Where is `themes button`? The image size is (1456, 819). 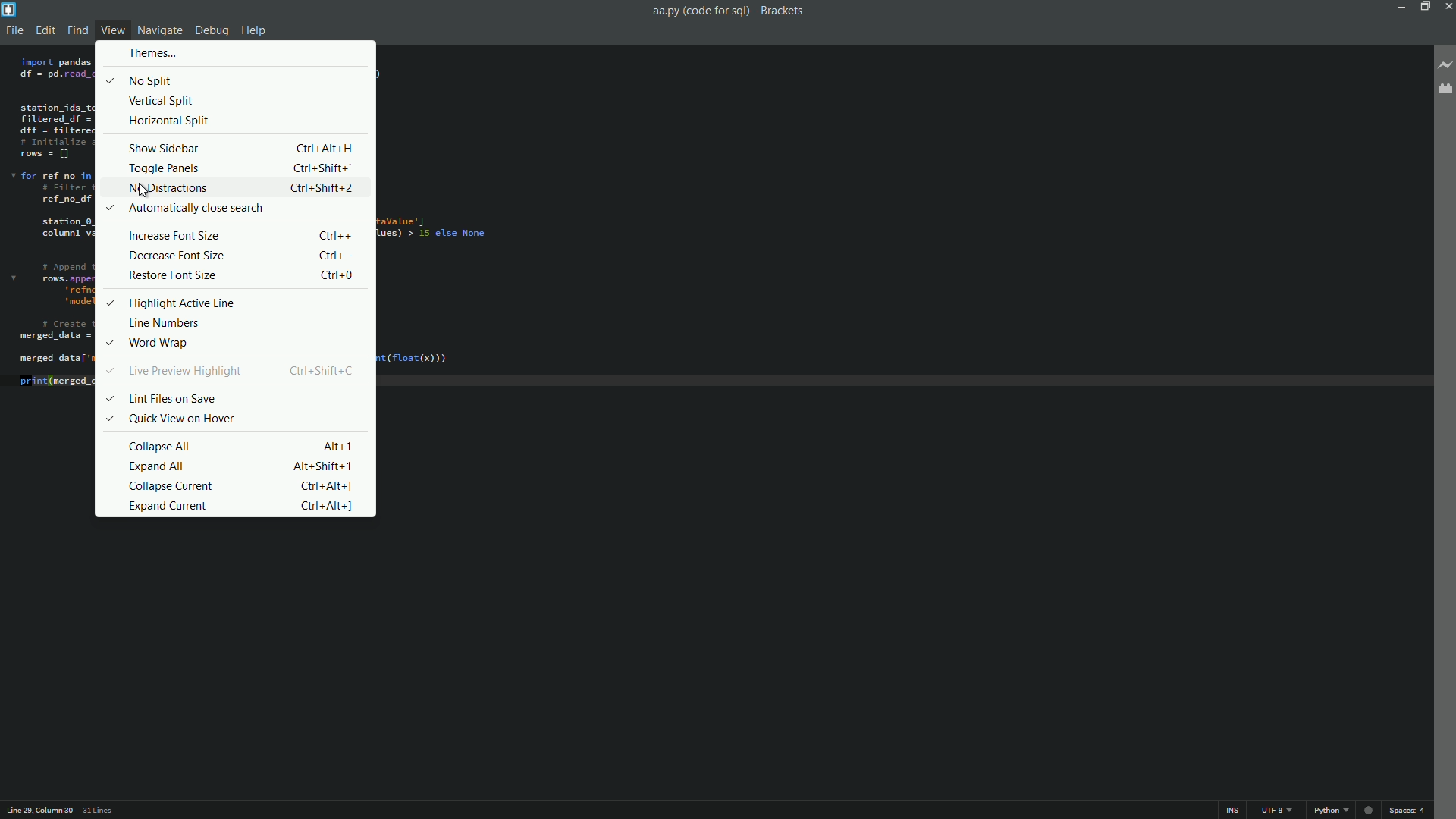 themes button is located at coordinates (153, 52).